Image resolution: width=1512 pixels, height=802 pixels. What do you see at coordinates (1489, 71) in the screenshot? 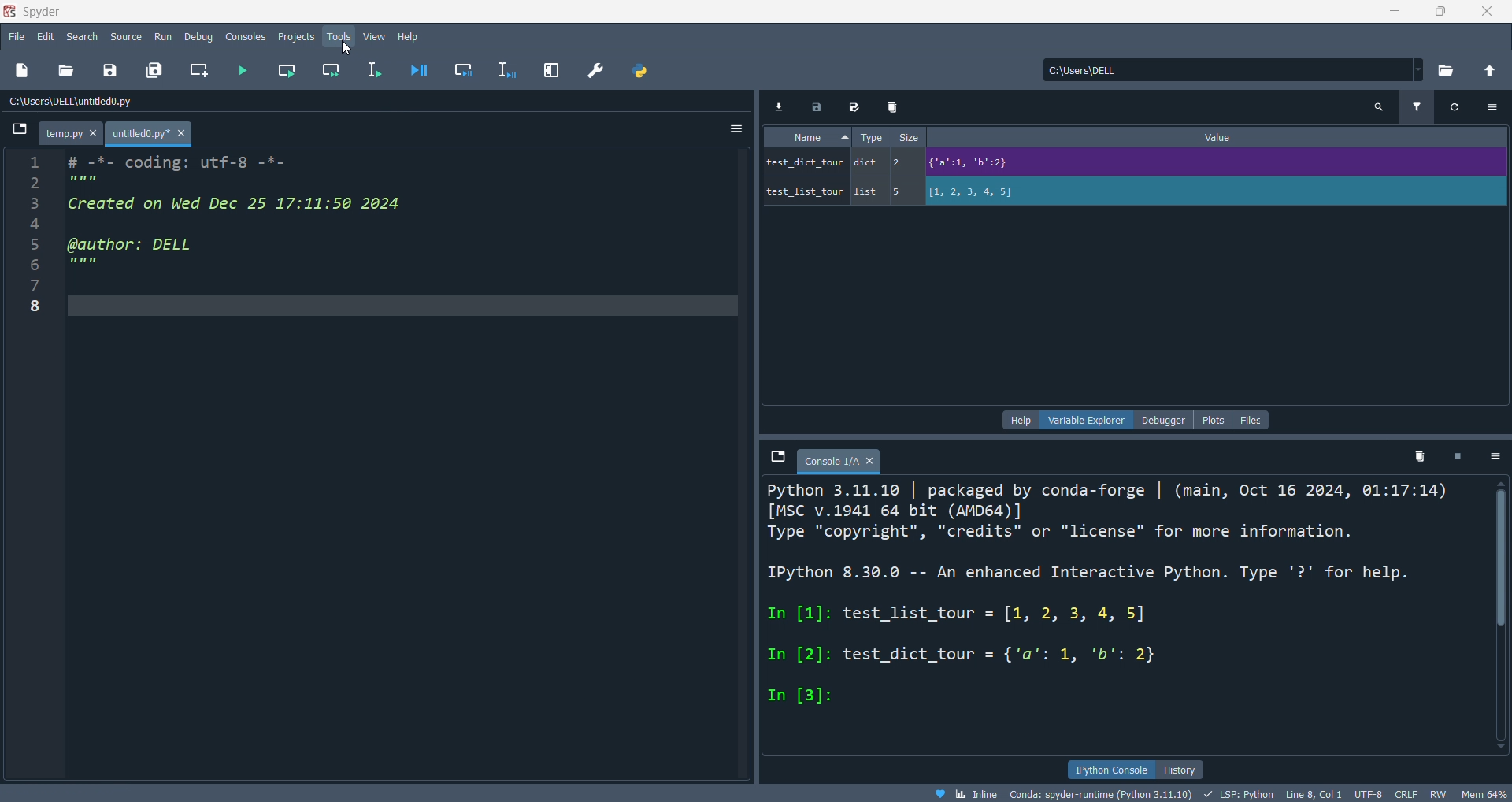
I see `open directory` at bounding box center [1489, 71].